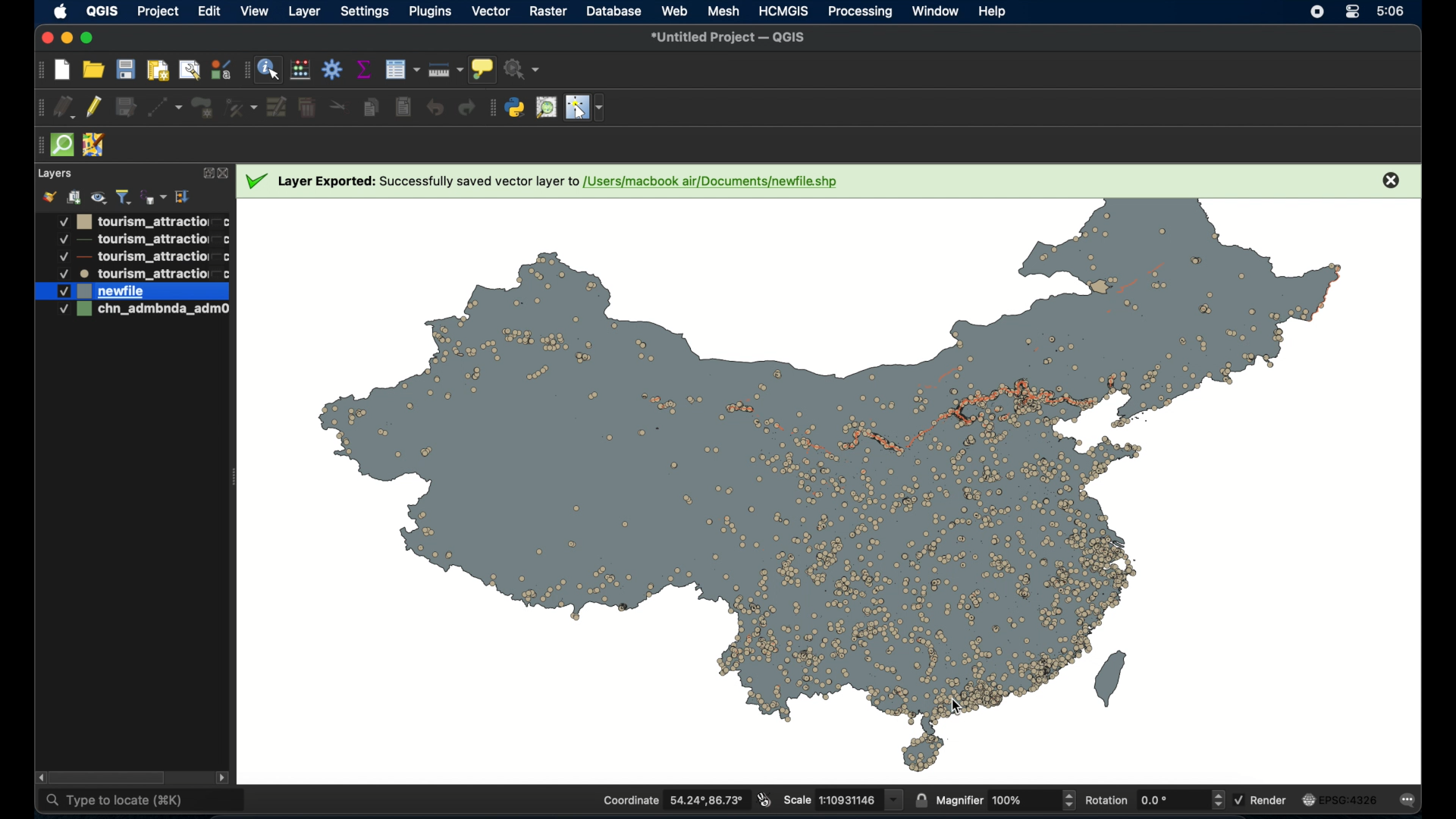 This screenshot has width=1456, height=819. I want to click on rotation, so click(1153, 799).